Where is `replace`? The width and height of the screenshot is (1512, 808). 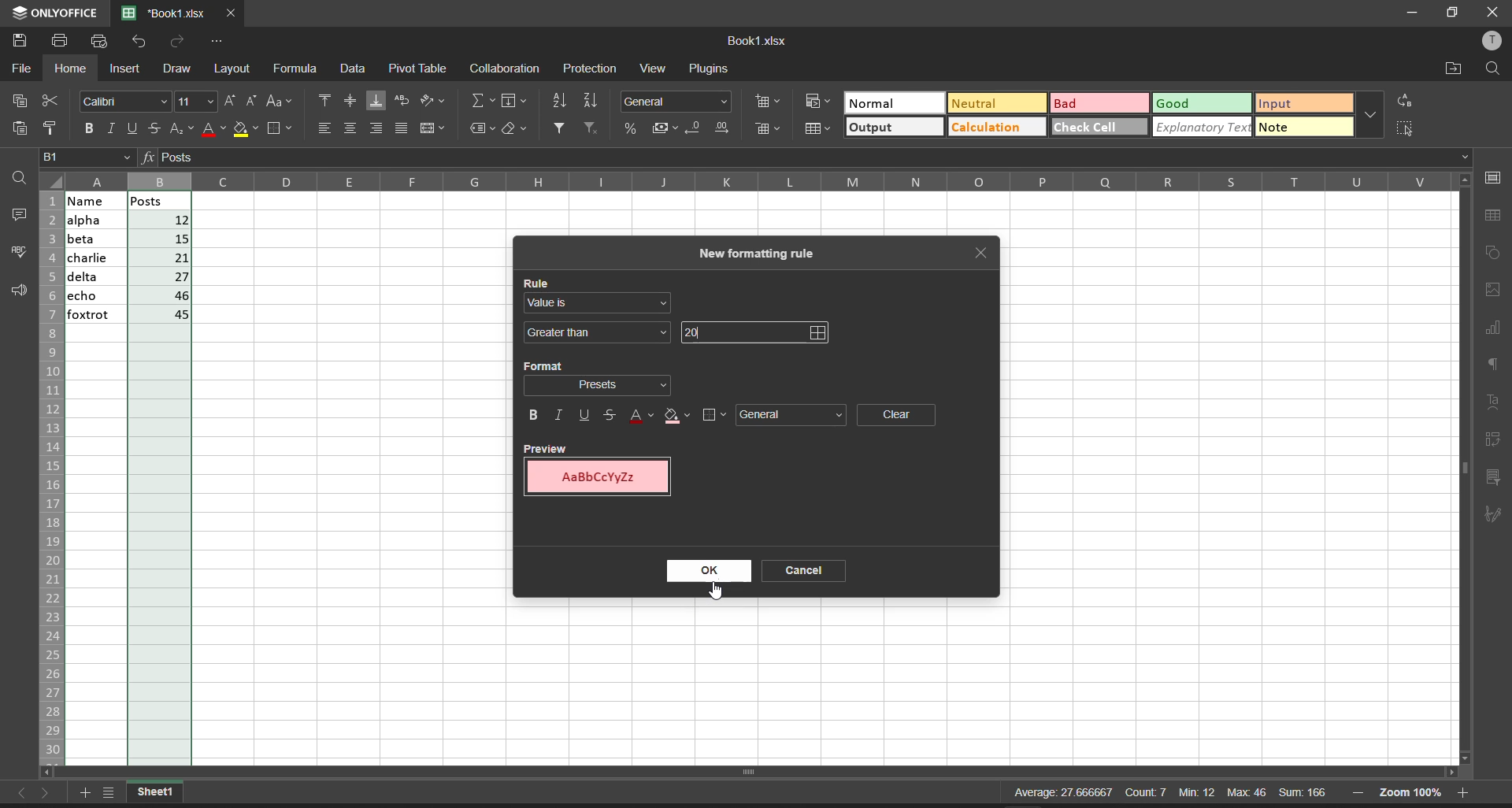 replace is located at coordinates (1408, 98).